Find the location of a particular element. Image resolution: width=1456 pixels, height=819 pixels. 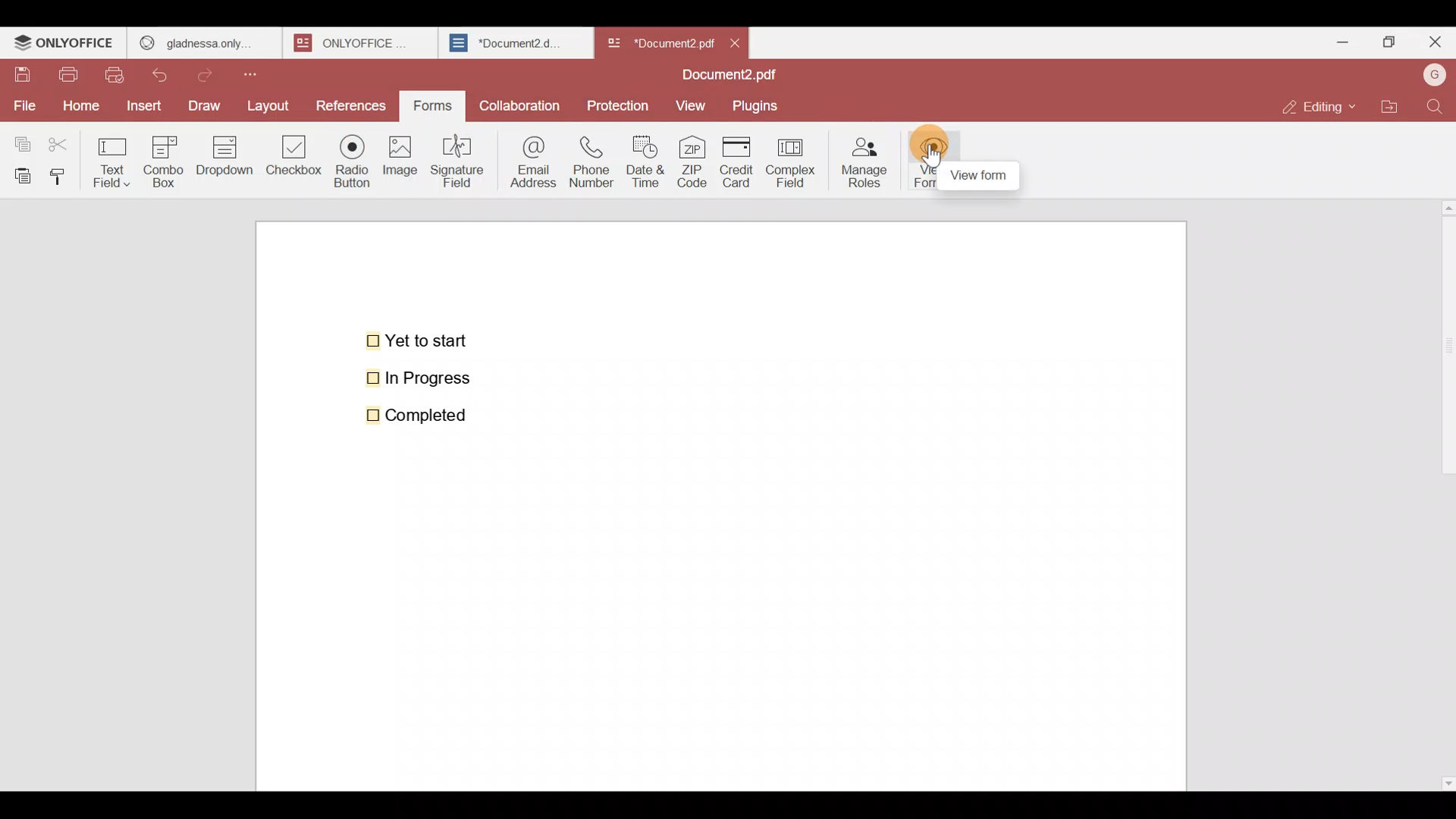

Account name is located at coordinates (1434, 74).